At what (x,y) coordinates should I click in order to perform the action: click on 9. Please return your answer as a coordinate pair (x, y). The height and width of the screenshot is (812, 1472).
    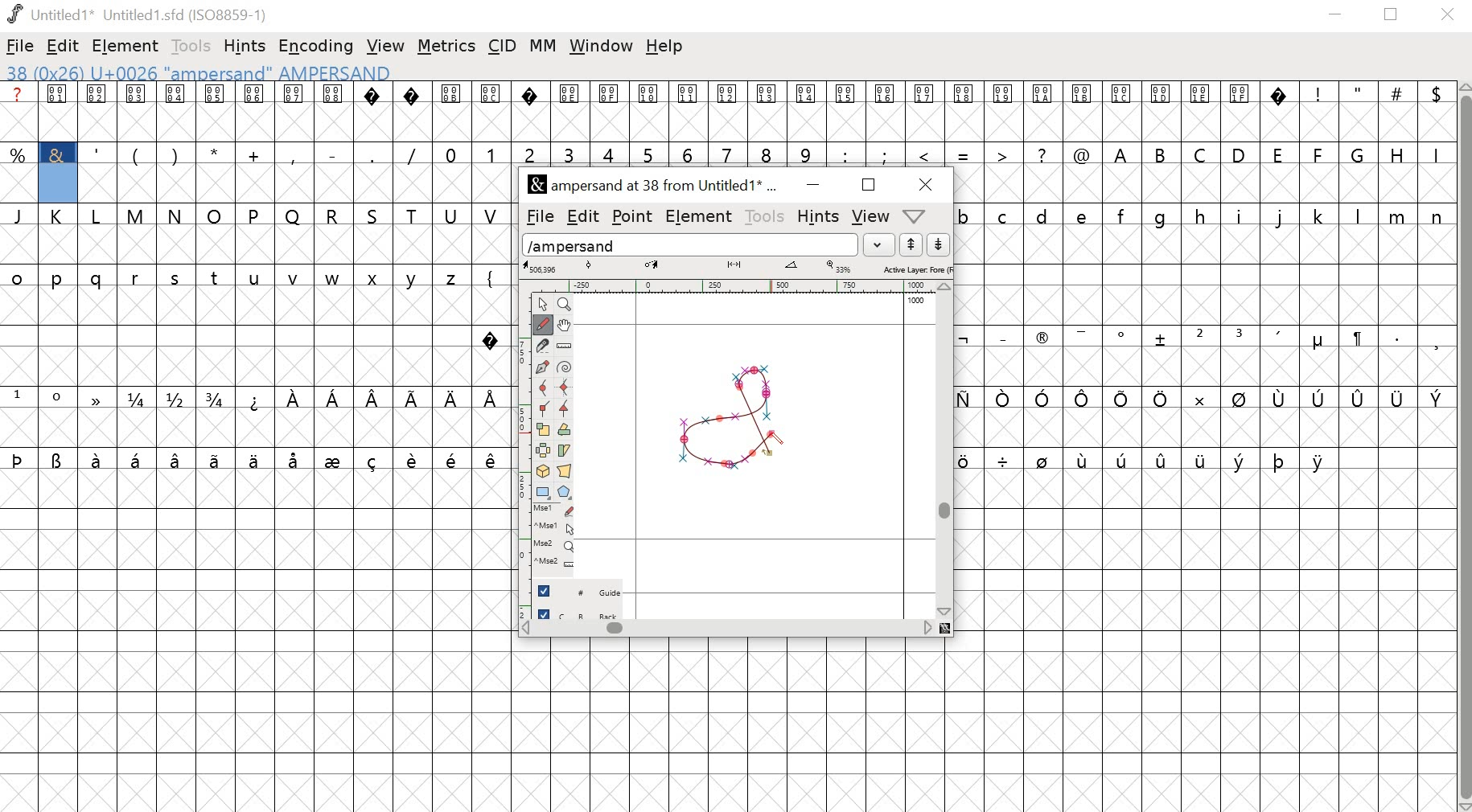
    Looking at the image, I should click on (805, 154).